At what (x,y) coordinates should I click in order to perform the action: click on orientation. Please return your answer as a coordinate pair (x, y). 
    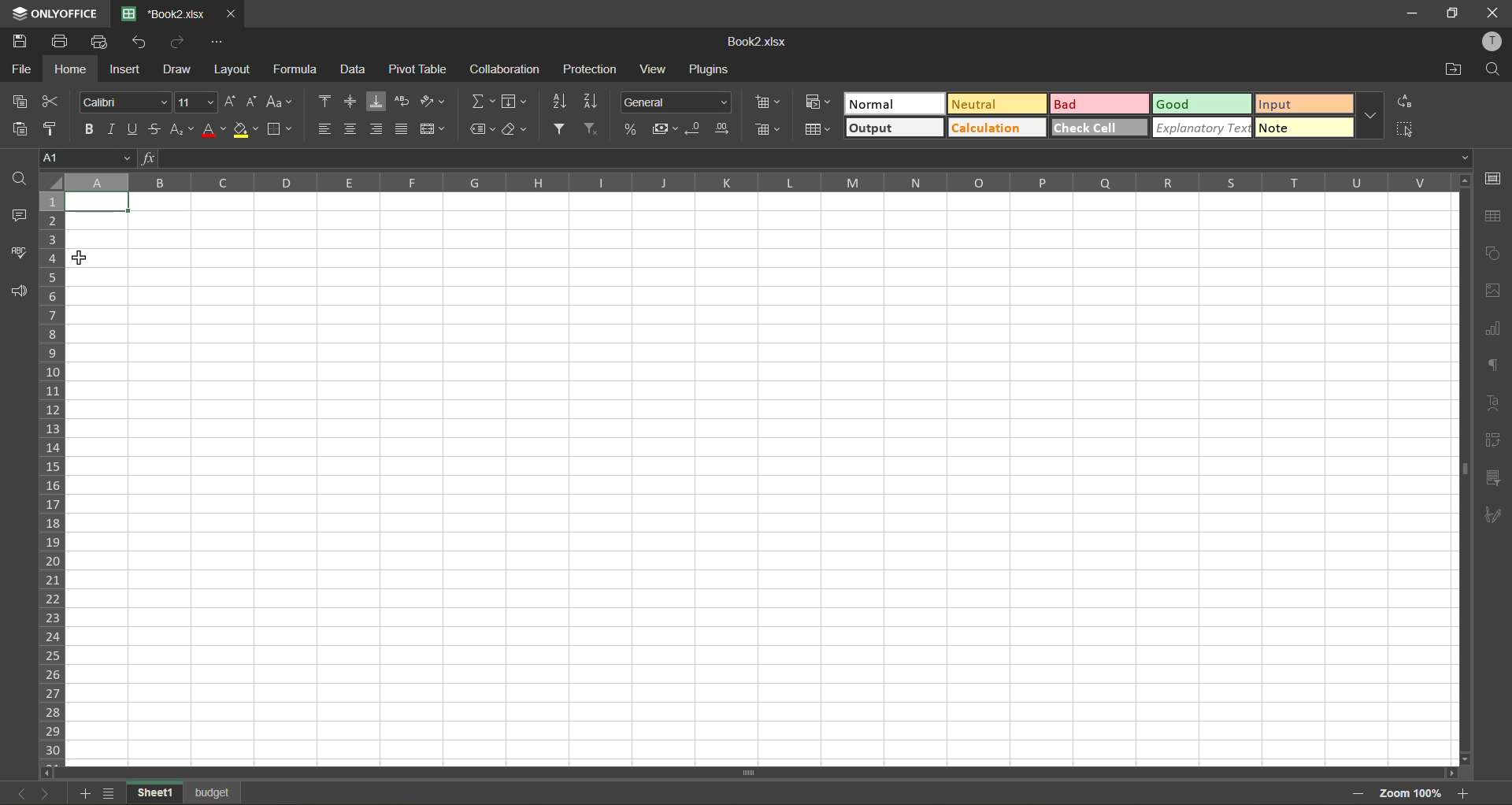
    Looking at the image, I should click on (434, 102).